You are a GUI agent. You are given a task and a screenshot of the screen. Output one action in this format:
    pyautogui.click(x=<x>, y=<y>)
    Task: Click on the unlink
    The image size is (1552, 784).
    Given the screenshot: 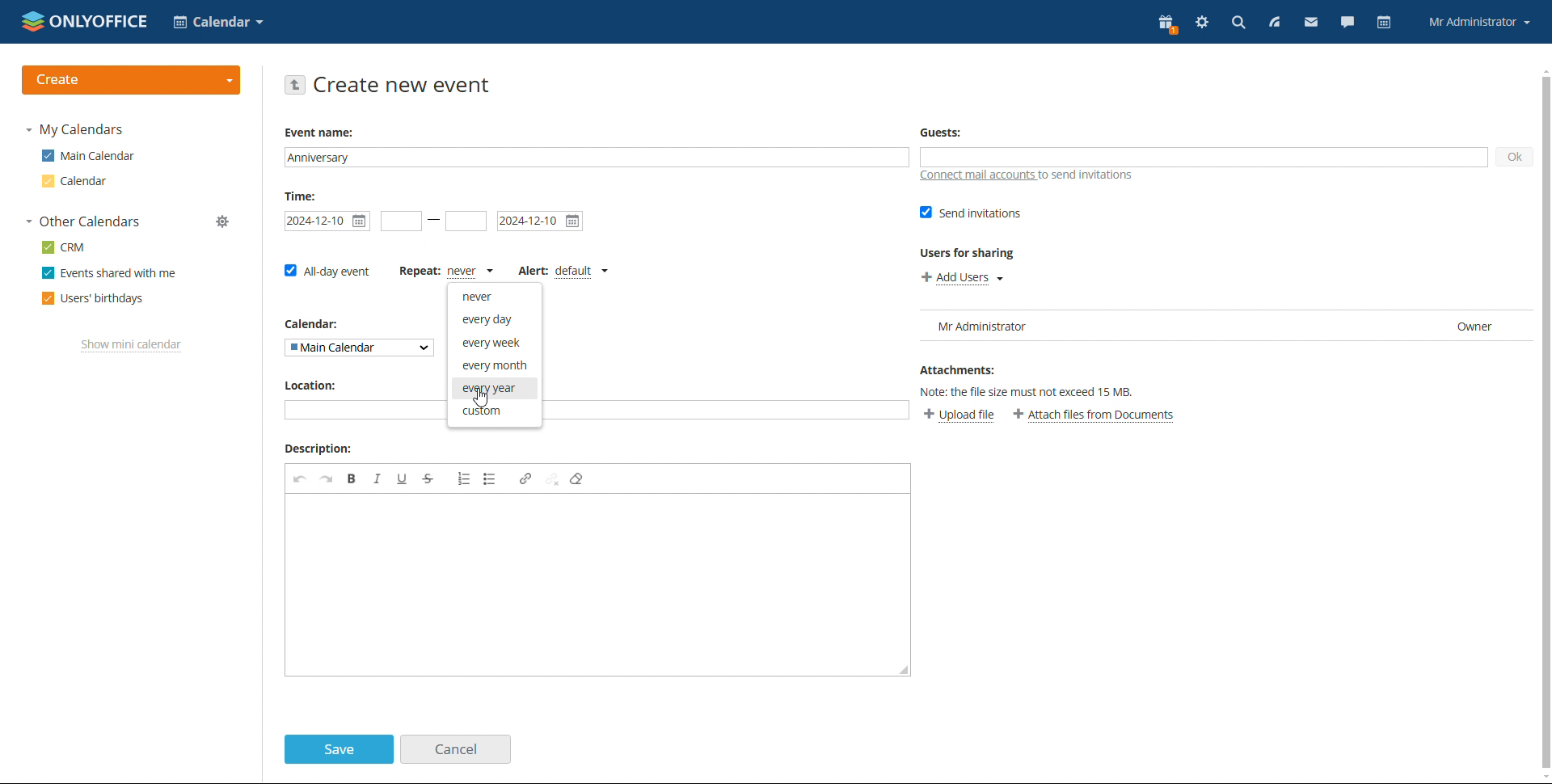 What is the action you would take?
    pyautogui.click(x=552, y=480)
    